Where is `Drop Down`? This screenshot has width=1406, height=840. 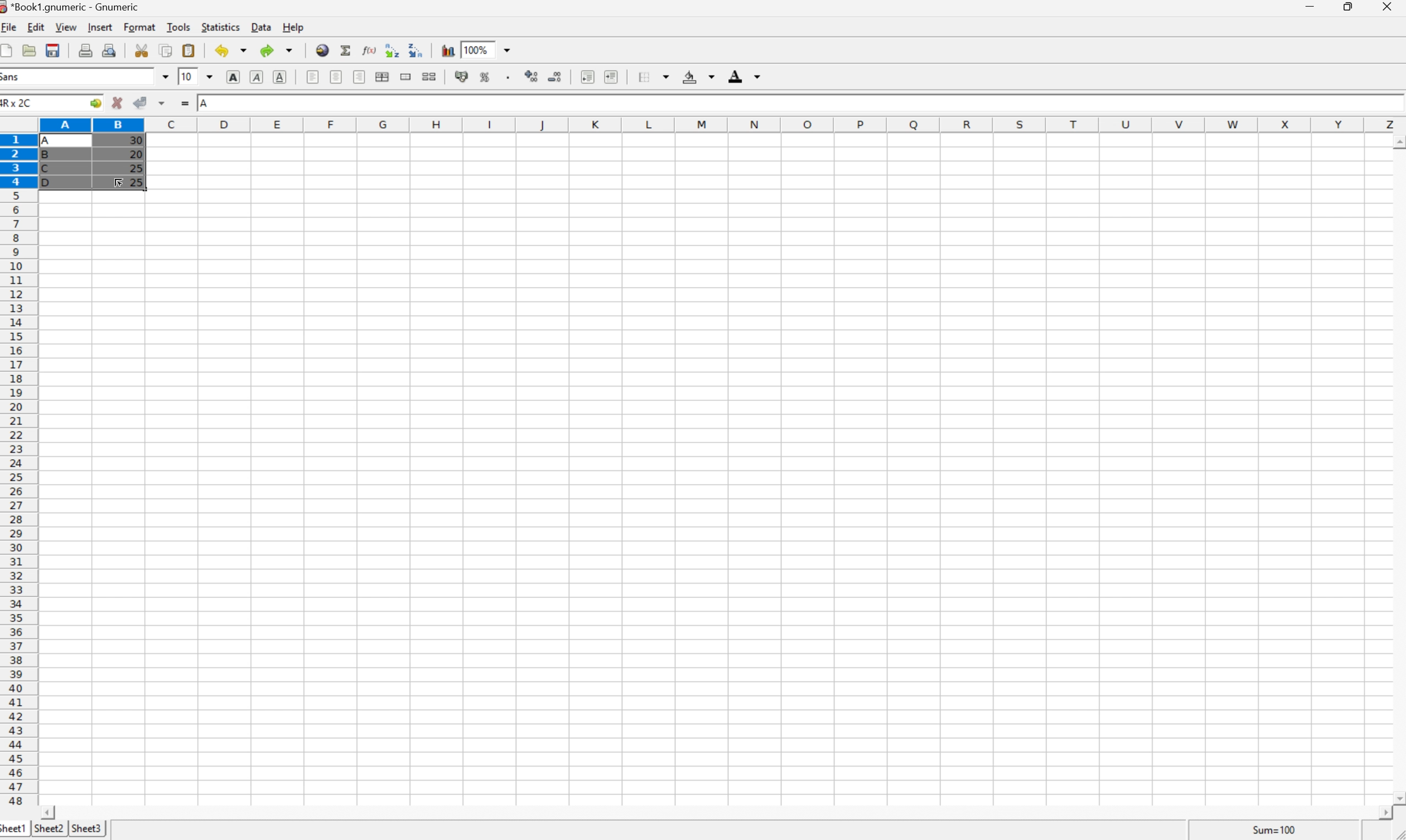
Drop Down is located at coordinates (511, 49).